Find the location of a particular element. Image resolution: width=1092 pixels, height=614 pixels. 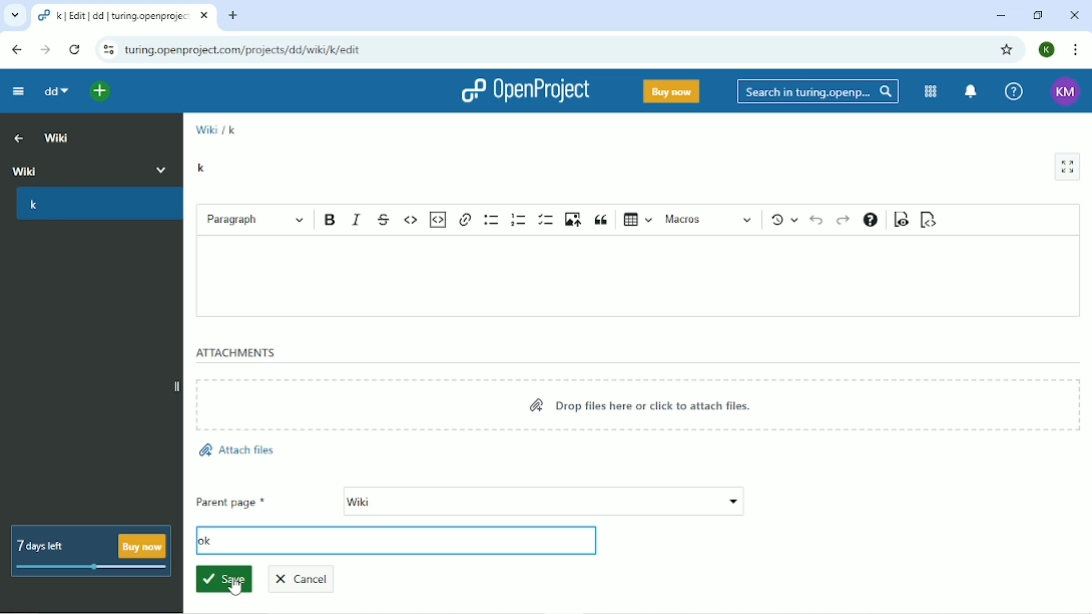

To notification center is located at coordinates (971, 91).